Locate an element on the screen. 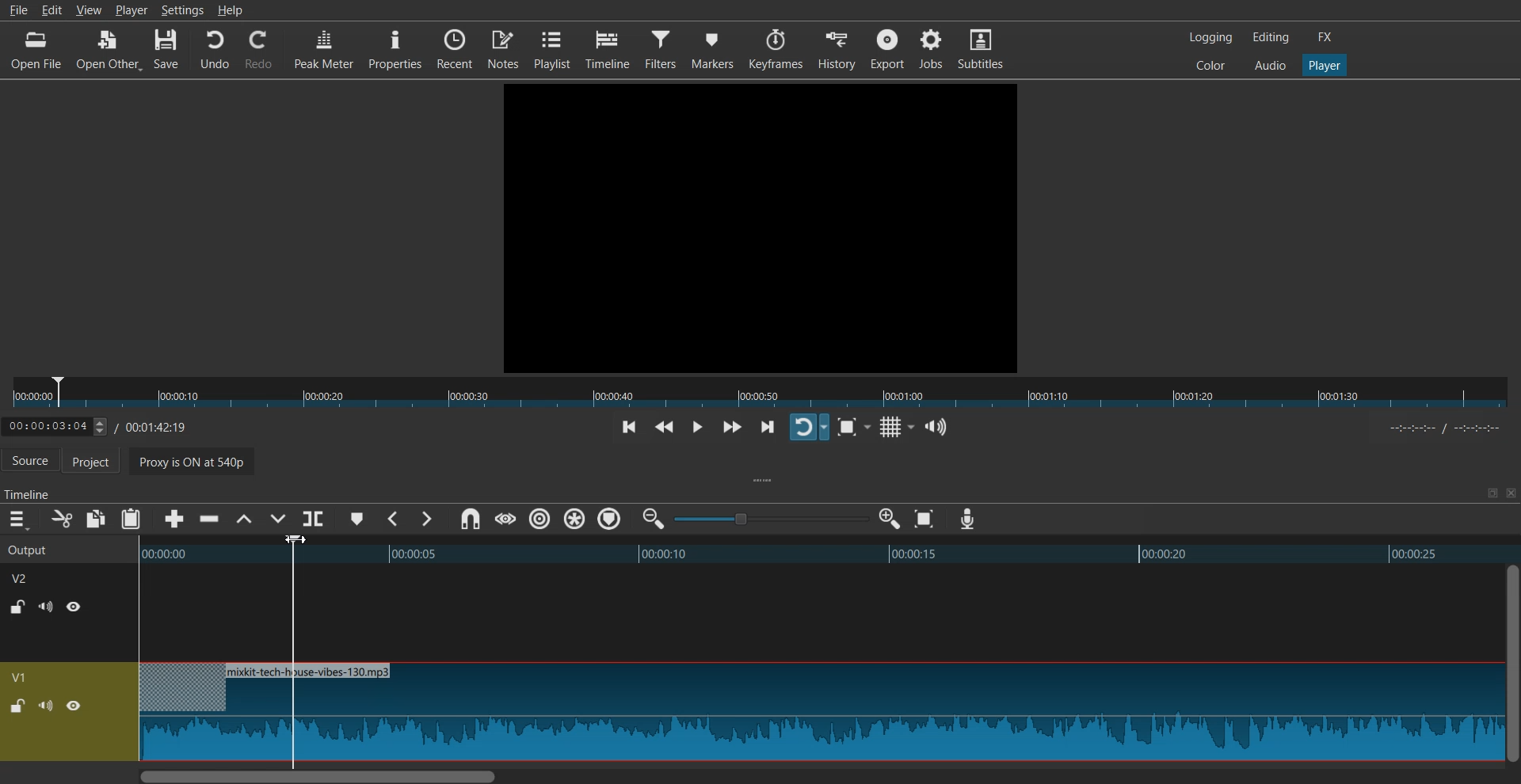  Notes is located at coordinates (503, 48).